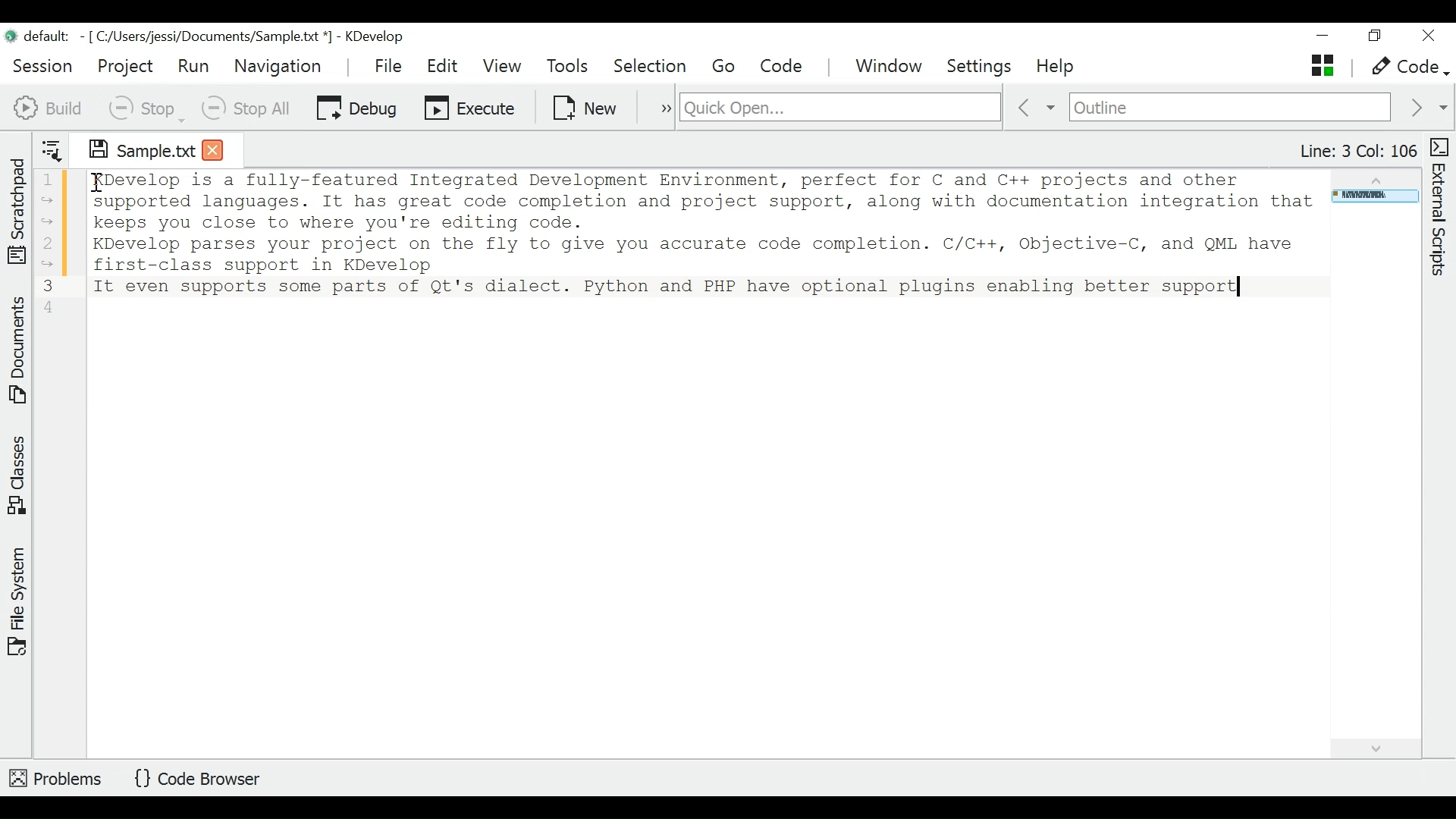 This screenshot has height=819, width=1456. What do you see at coordinates (502, 66) in the screenshot?
I see `View` at bounding box center [502, 66].